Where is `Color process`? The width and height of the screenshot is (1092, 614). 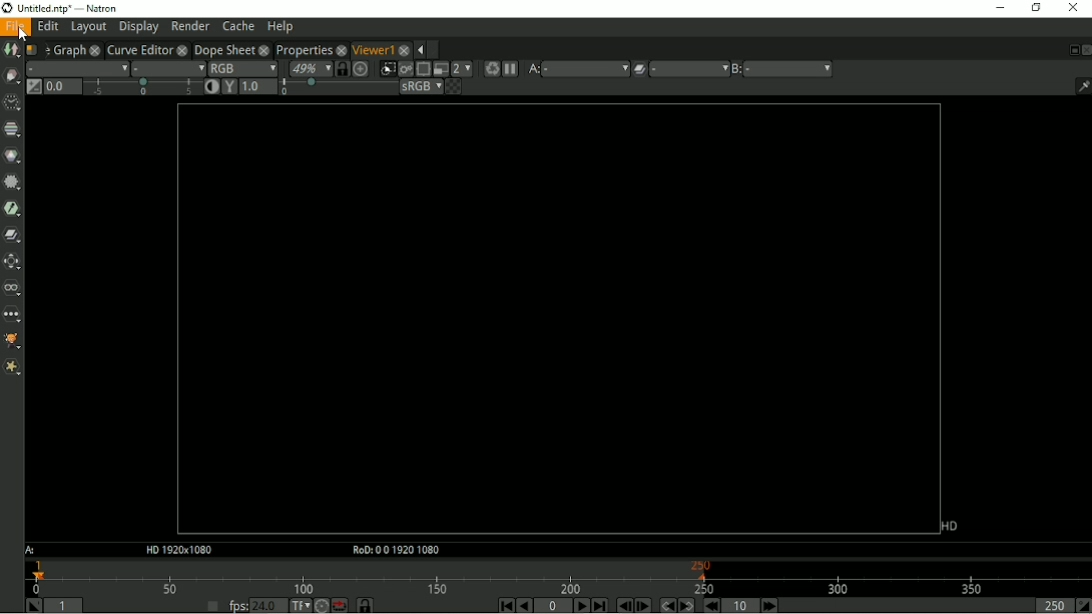
Color process is located at coordinates (420, 86).